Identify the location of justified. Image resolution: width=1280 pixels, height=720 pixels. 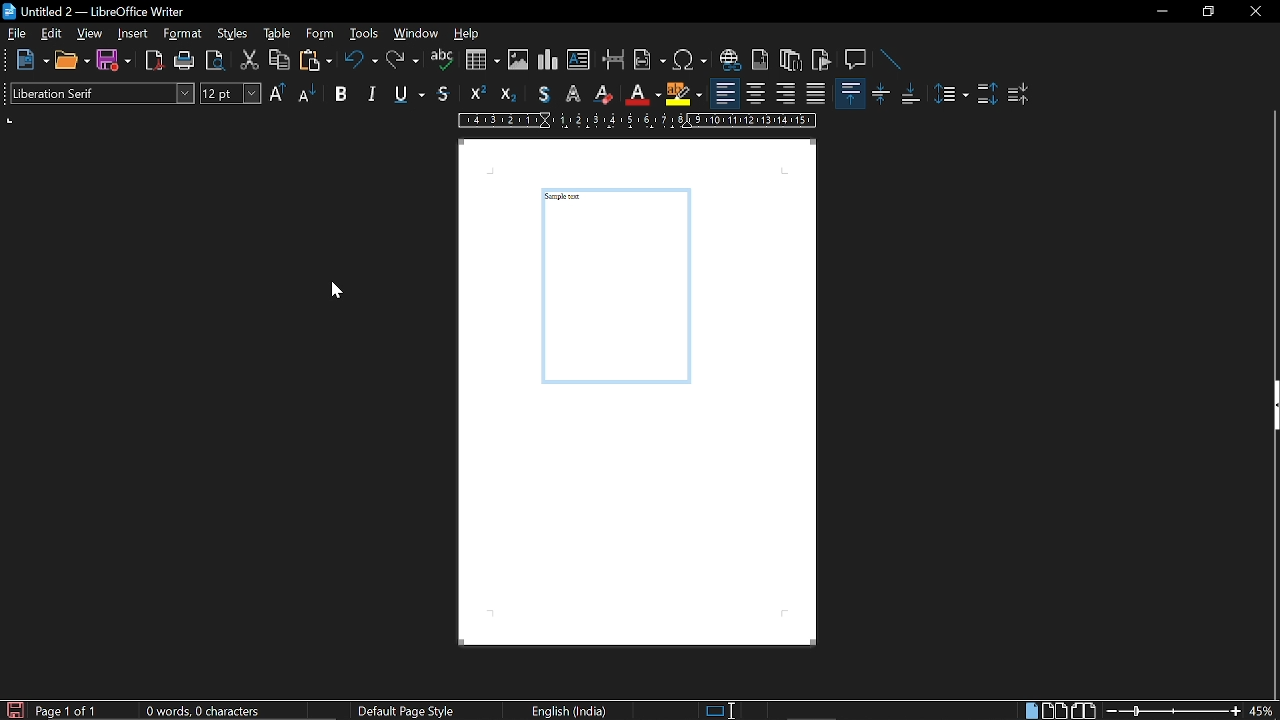
(816, 95).